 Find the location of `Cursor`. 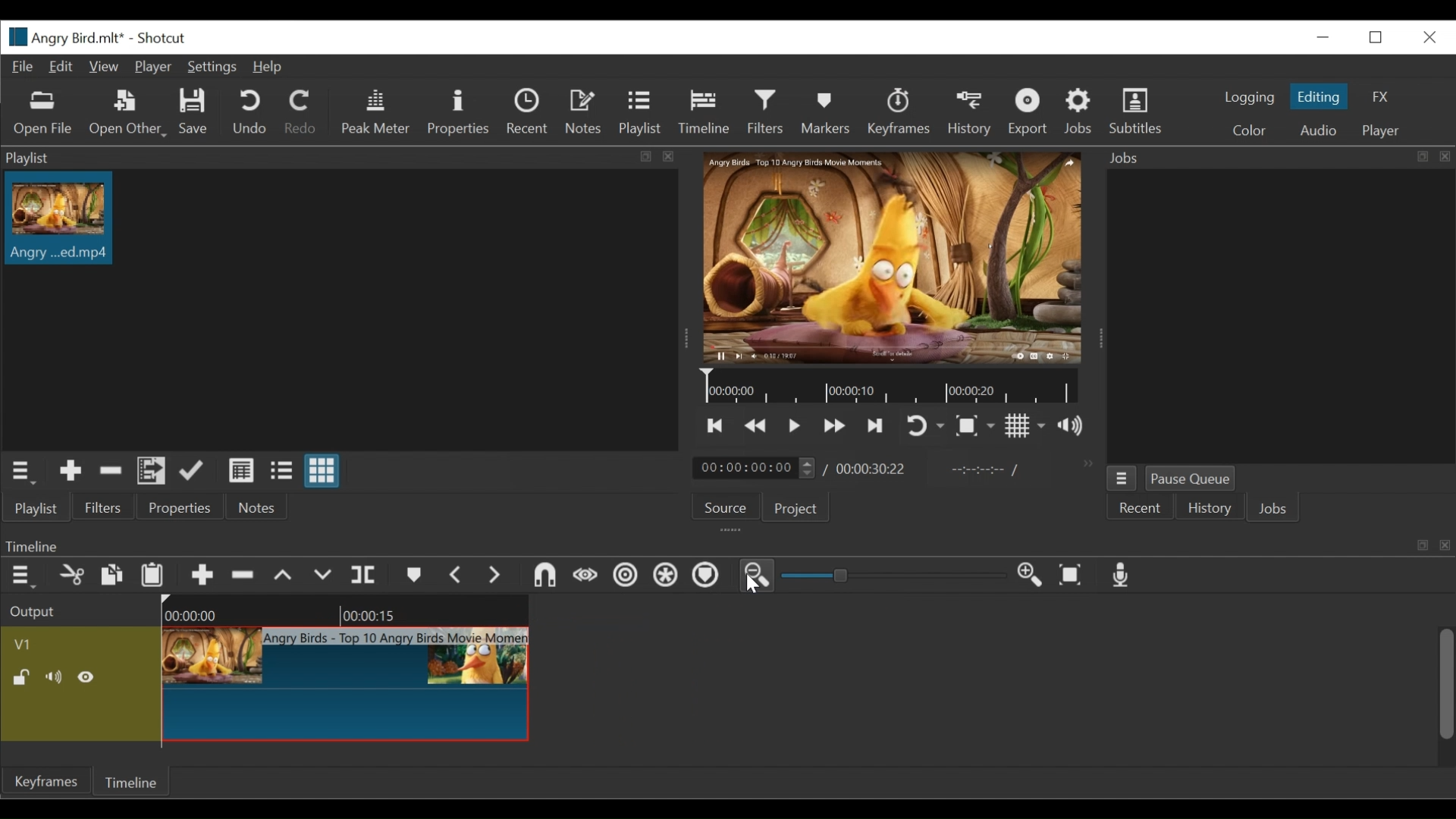

Cursor is located at coordinates (752, 585).